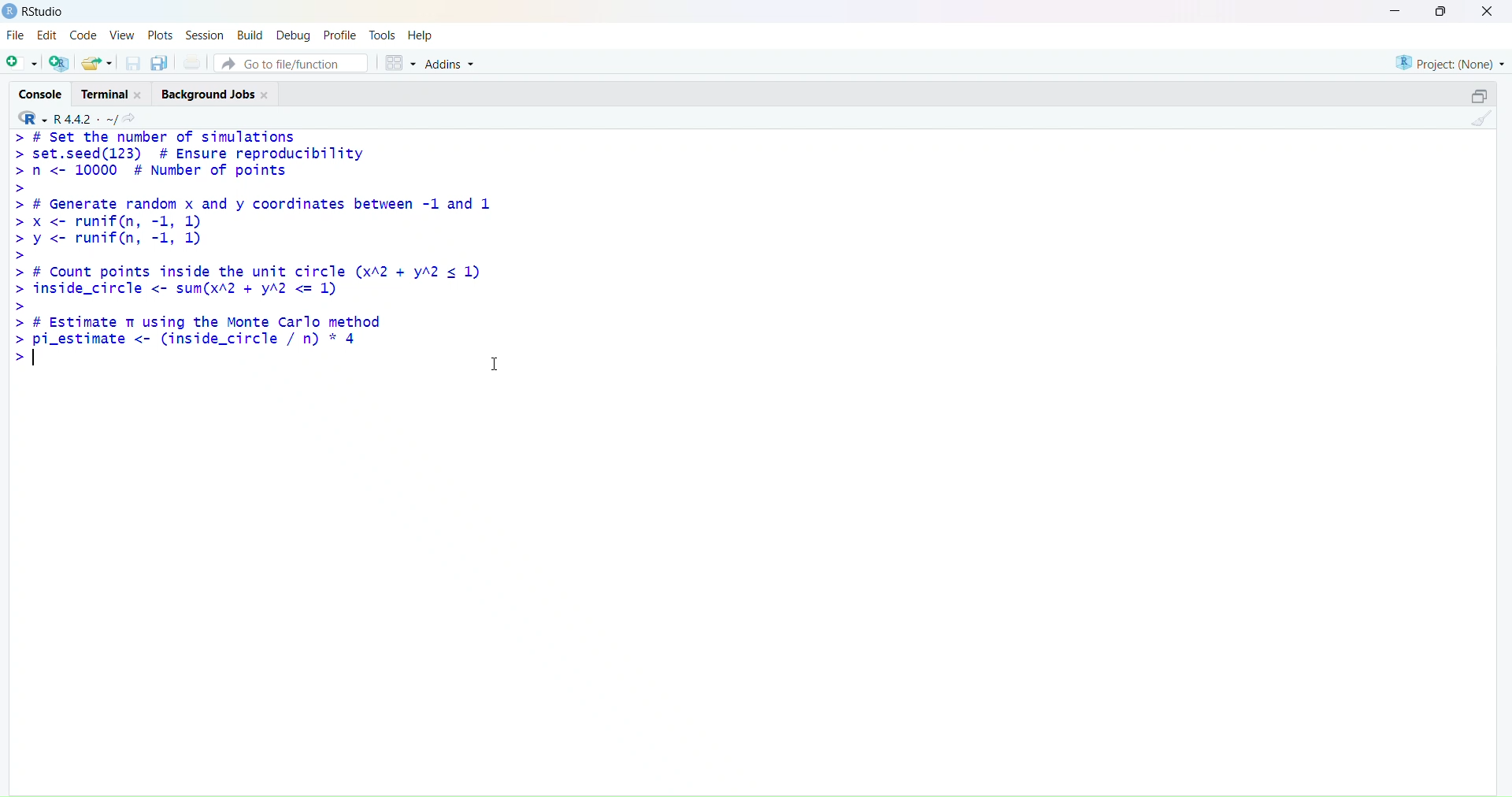 This screenshot has width=1512, height=797. I want to click on Maximize, so click(1443, 14).